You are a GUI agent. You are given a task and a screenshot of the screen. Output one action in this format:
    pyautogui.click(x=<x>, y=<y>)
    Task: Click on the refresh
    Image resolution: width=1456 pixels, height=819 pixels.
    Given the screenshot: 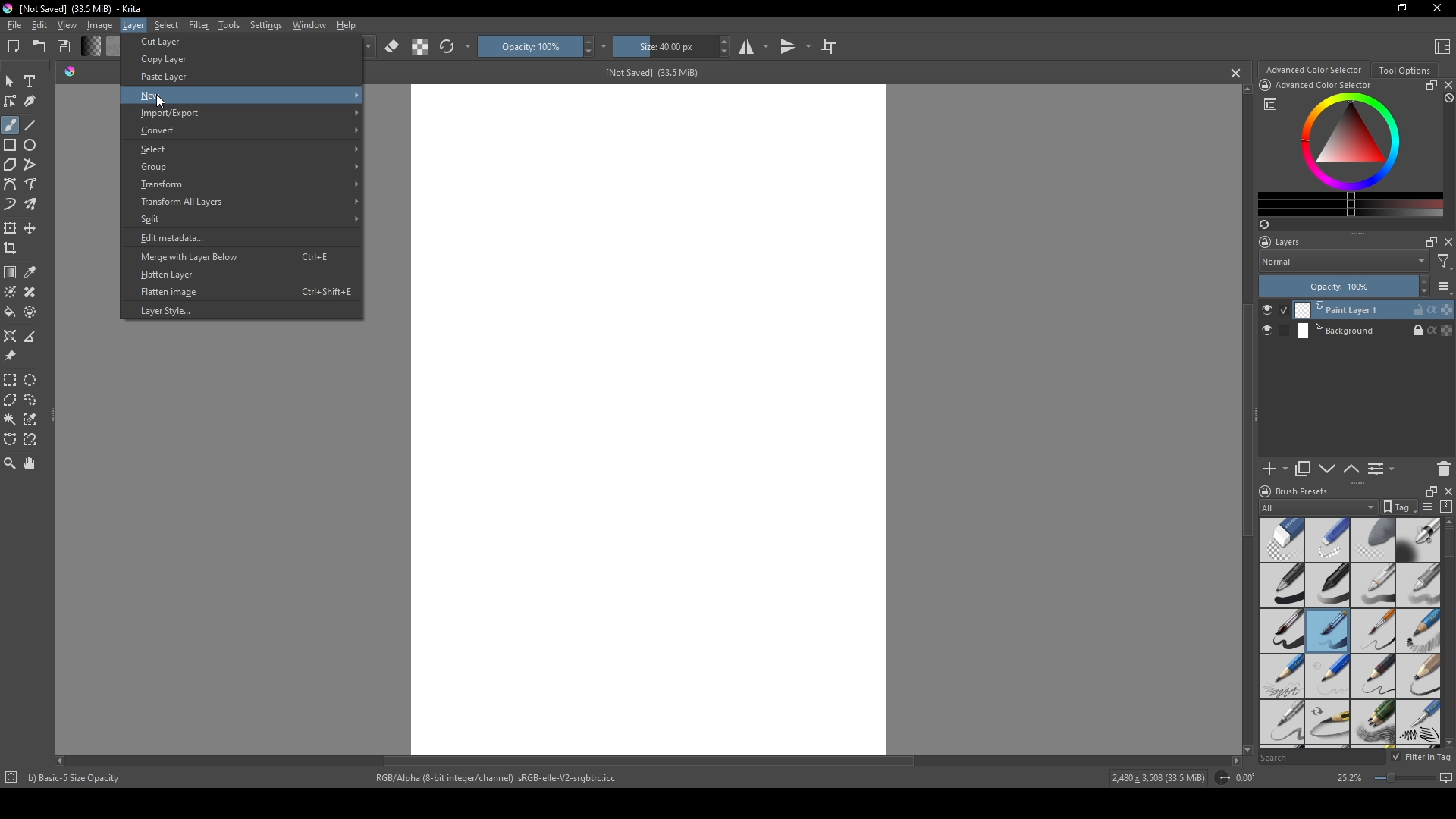 What is the action you would take?
    pyautogui.click(x=447, y=47)
    